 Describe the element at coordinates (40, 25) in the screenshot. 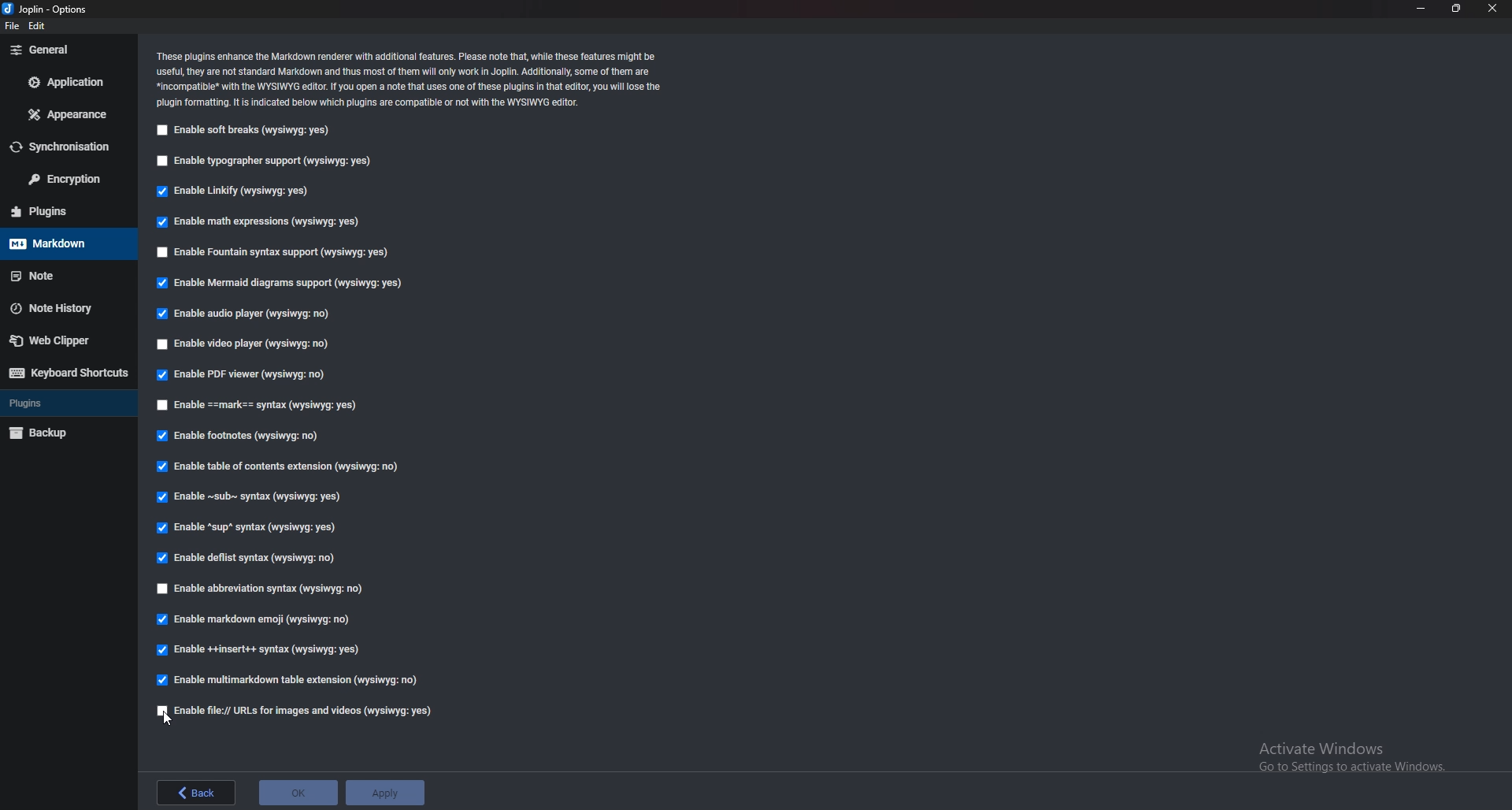

I see `edit` at that location.